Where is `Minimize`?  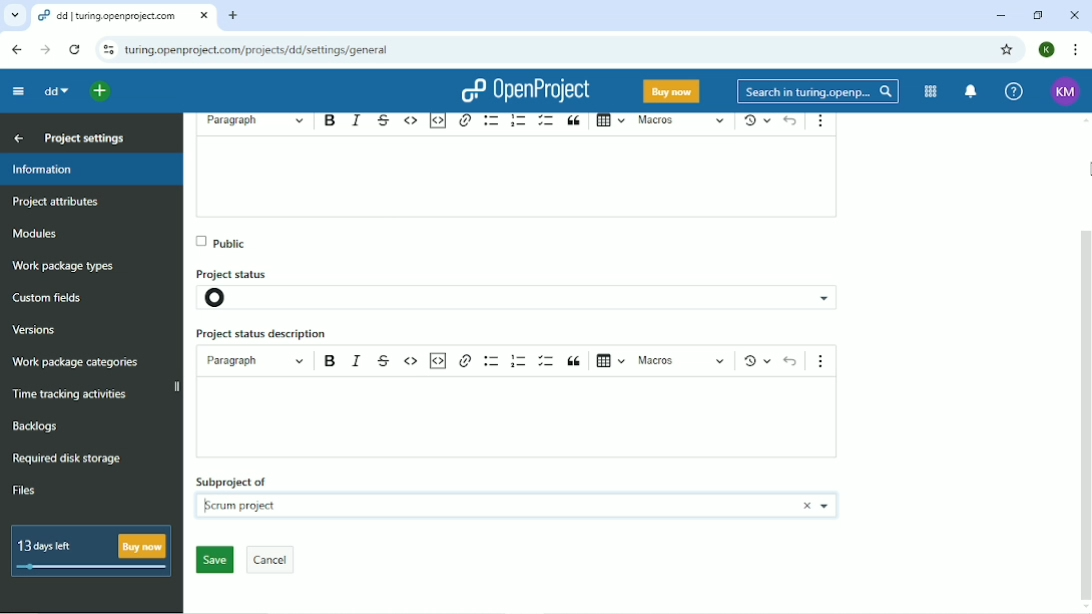 Minimize is located at coordinates (1001, 16).